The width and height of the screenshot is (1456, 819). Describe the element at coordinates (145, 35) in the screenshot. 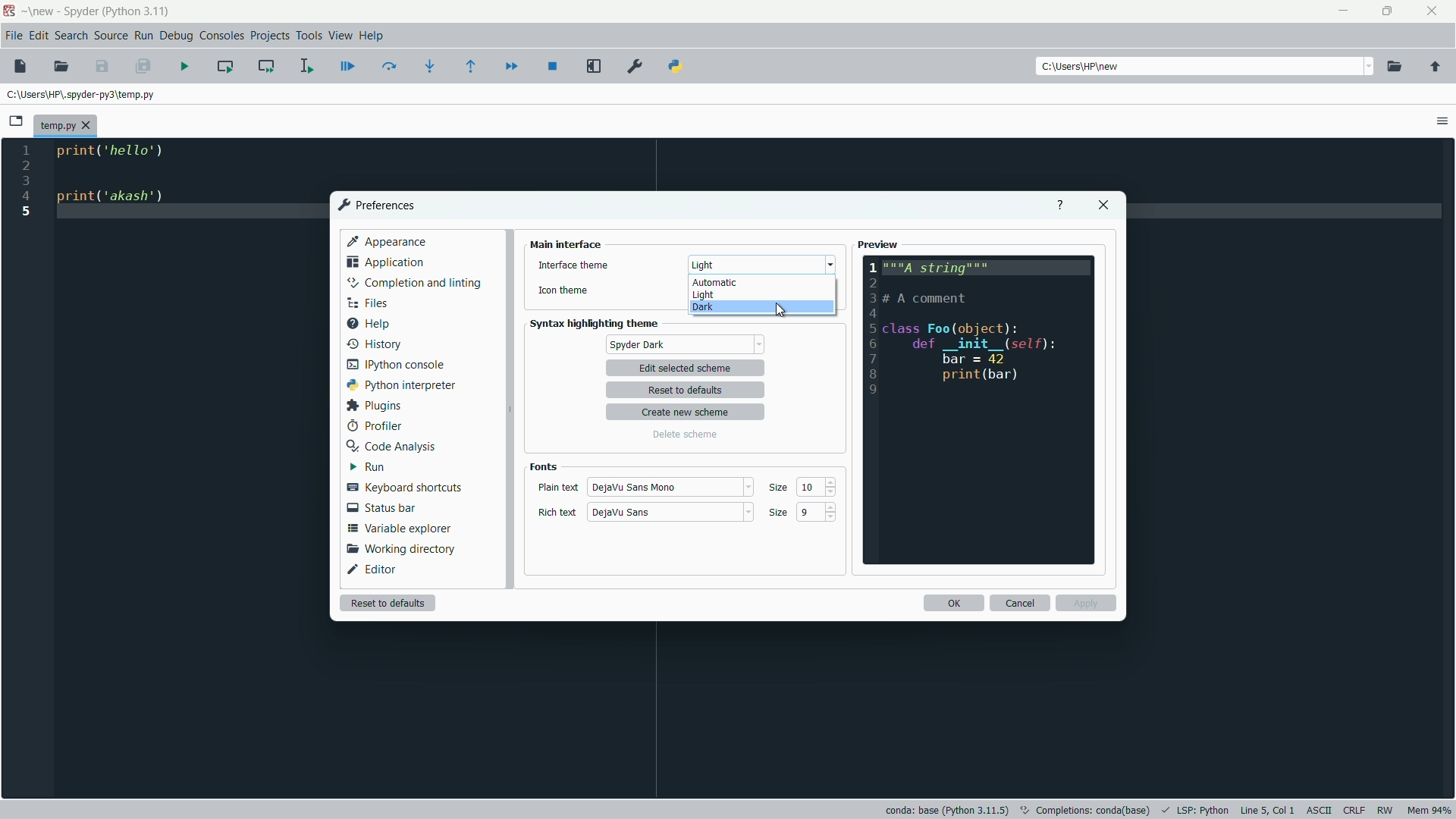

I see `run menu` at that location.